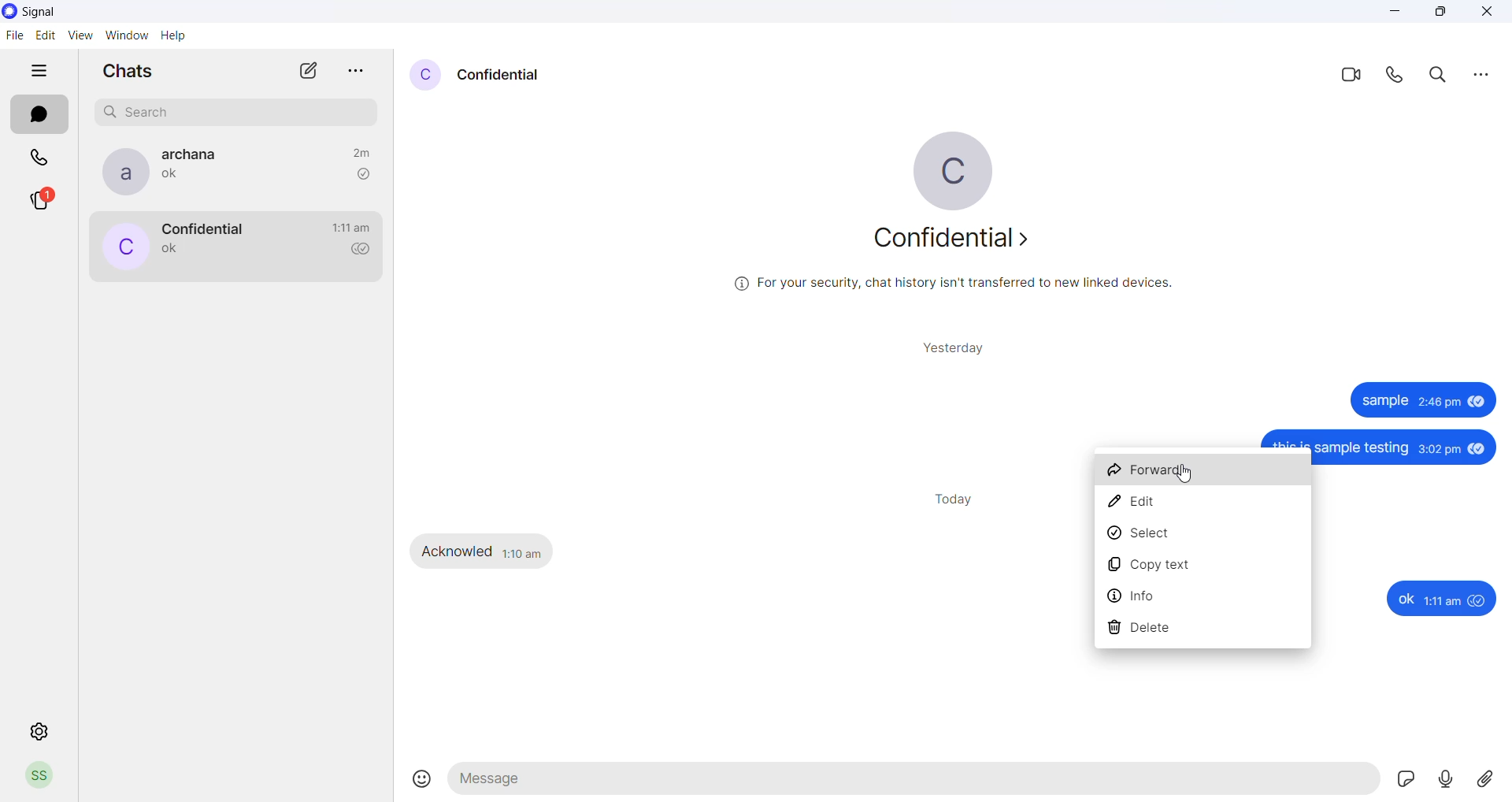  What do you see at coordinates (1201, 596) in the screenshot?
I see `info` at bounding box center [1201, 596].